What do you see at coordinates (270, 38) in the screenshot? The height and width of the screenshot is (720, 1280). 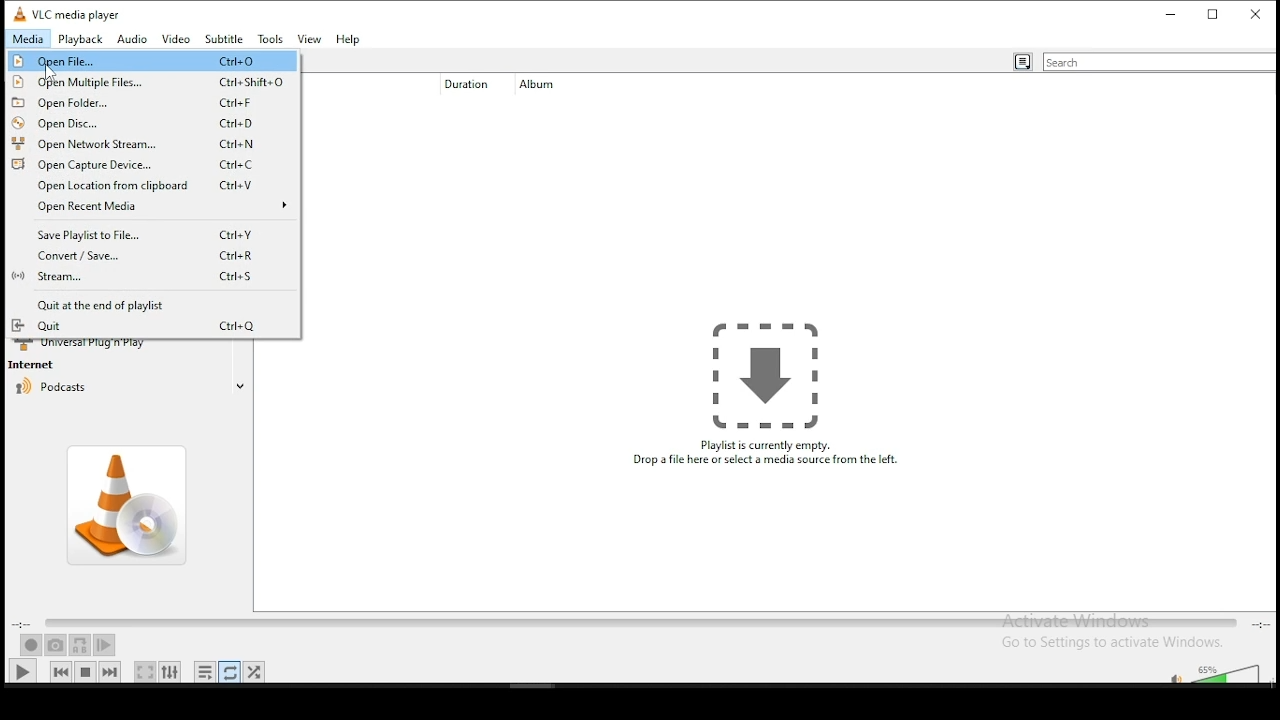 I see `tools` at bounding box center [270, 38].